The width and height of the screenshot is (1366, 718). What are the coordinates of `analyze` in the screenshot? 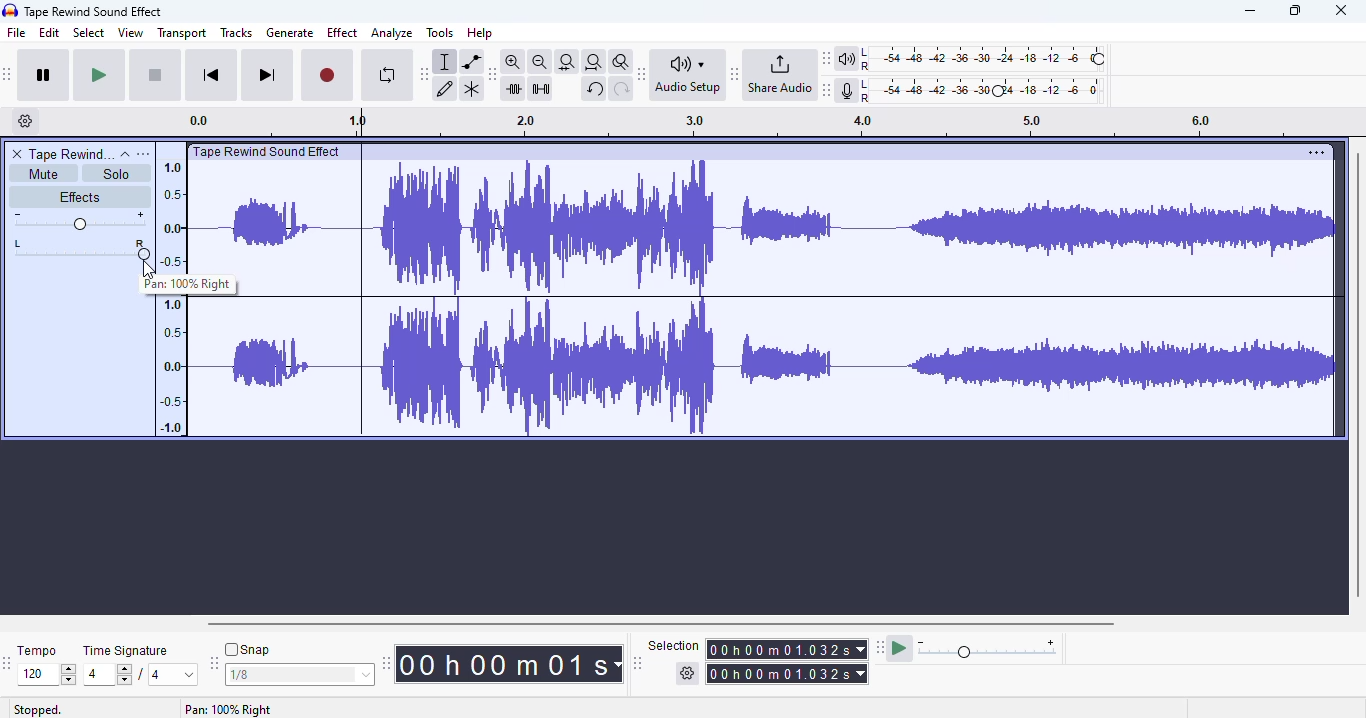 It's located at (392, 33).